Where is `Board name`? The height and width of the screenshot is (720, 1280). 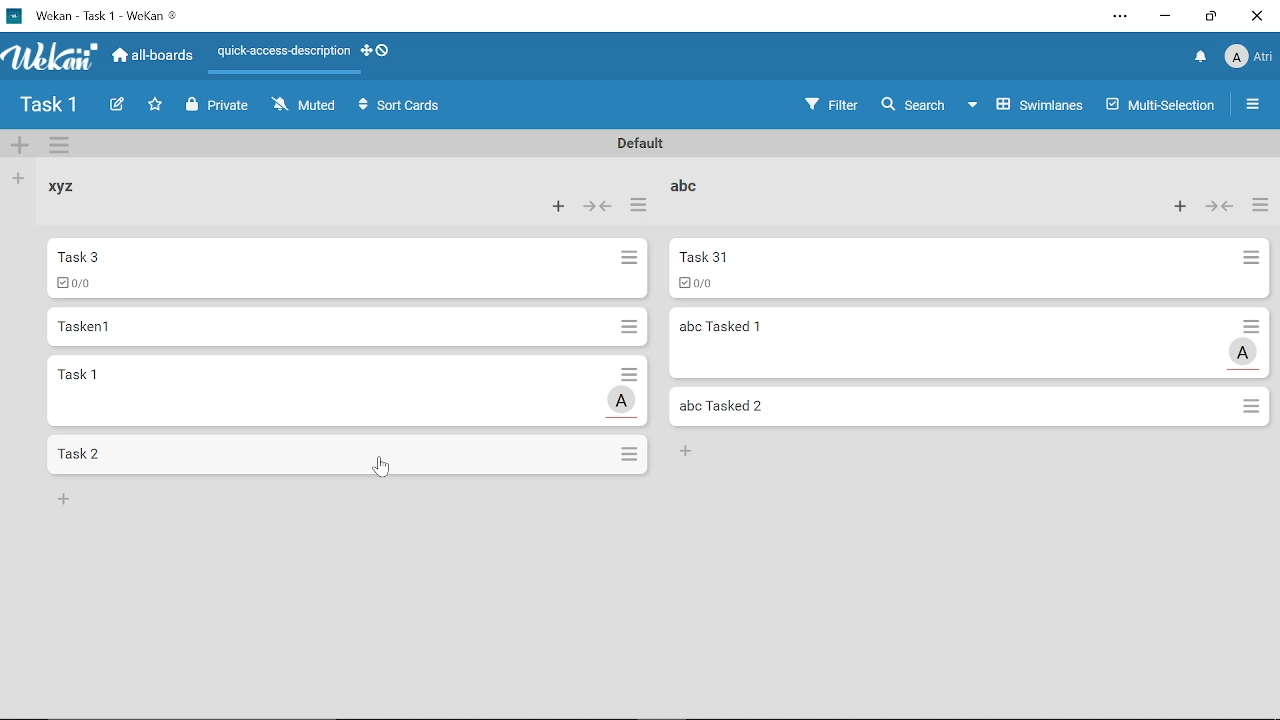 Board name is located at coordinates (48, 105).